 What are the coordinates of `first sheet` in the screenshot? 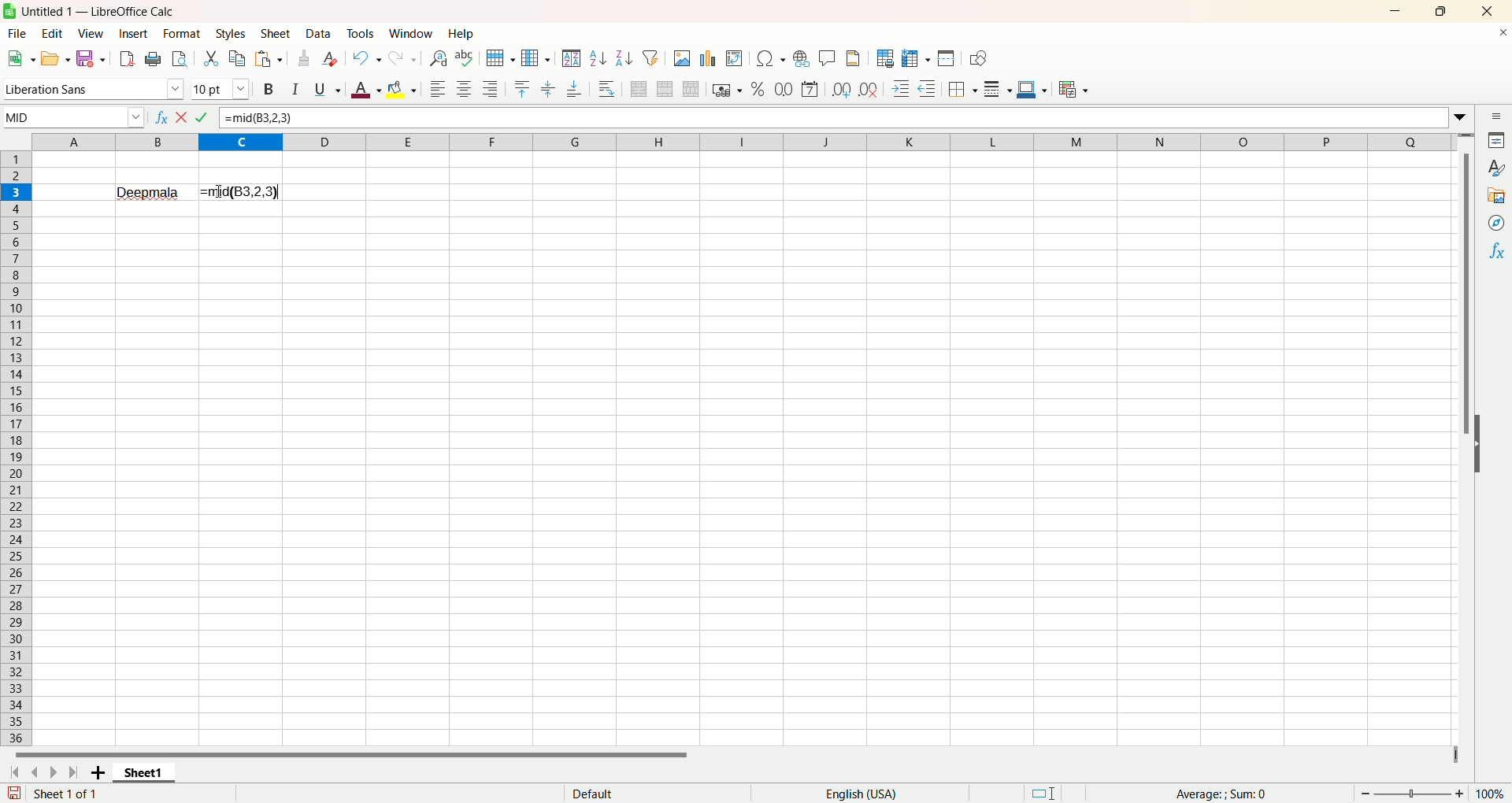 It's located at (13, 775).